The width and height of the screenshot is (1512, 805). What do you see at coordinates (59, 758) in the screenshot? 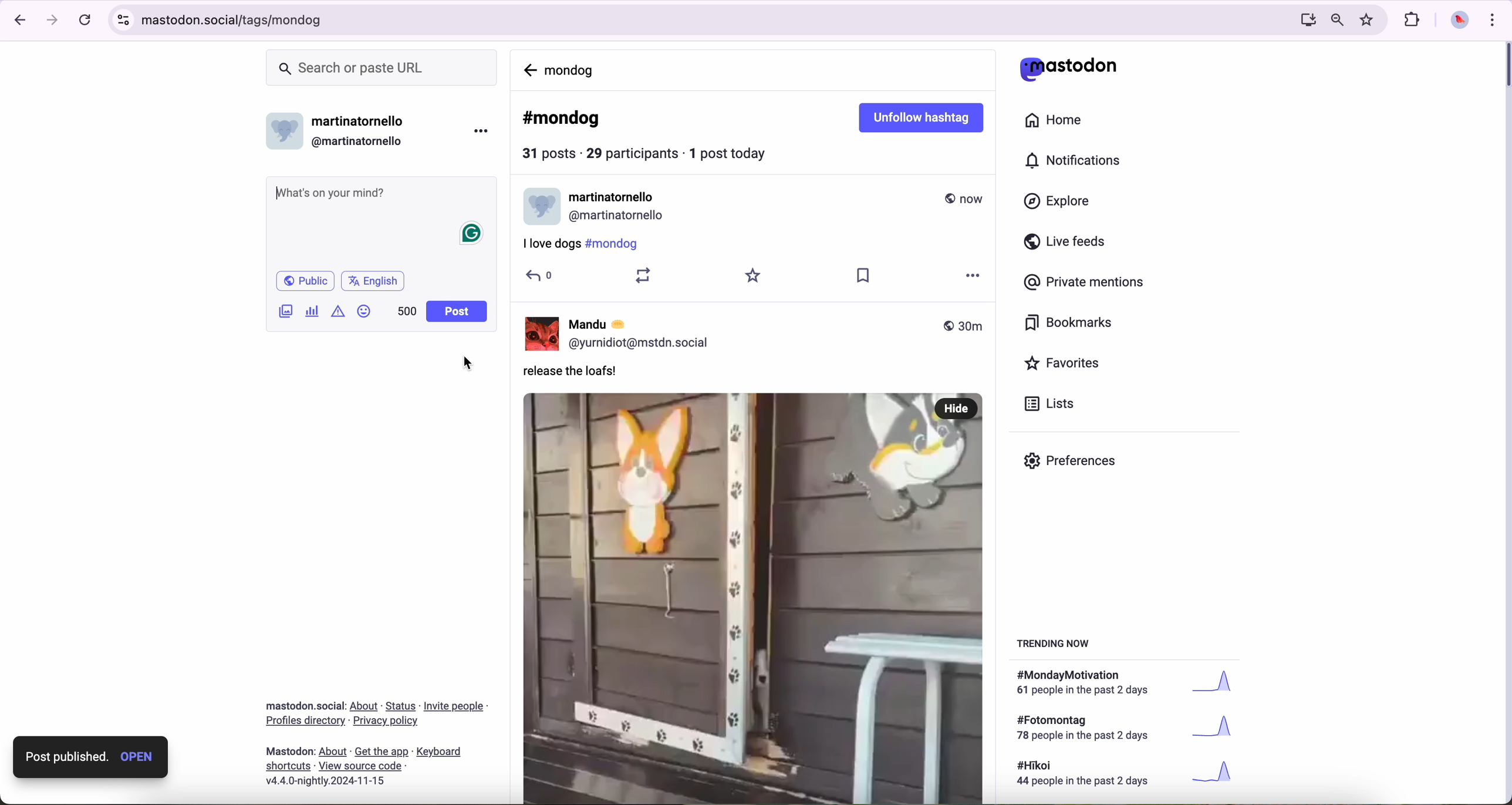
I see `post published` at bounding box center [59, 758].